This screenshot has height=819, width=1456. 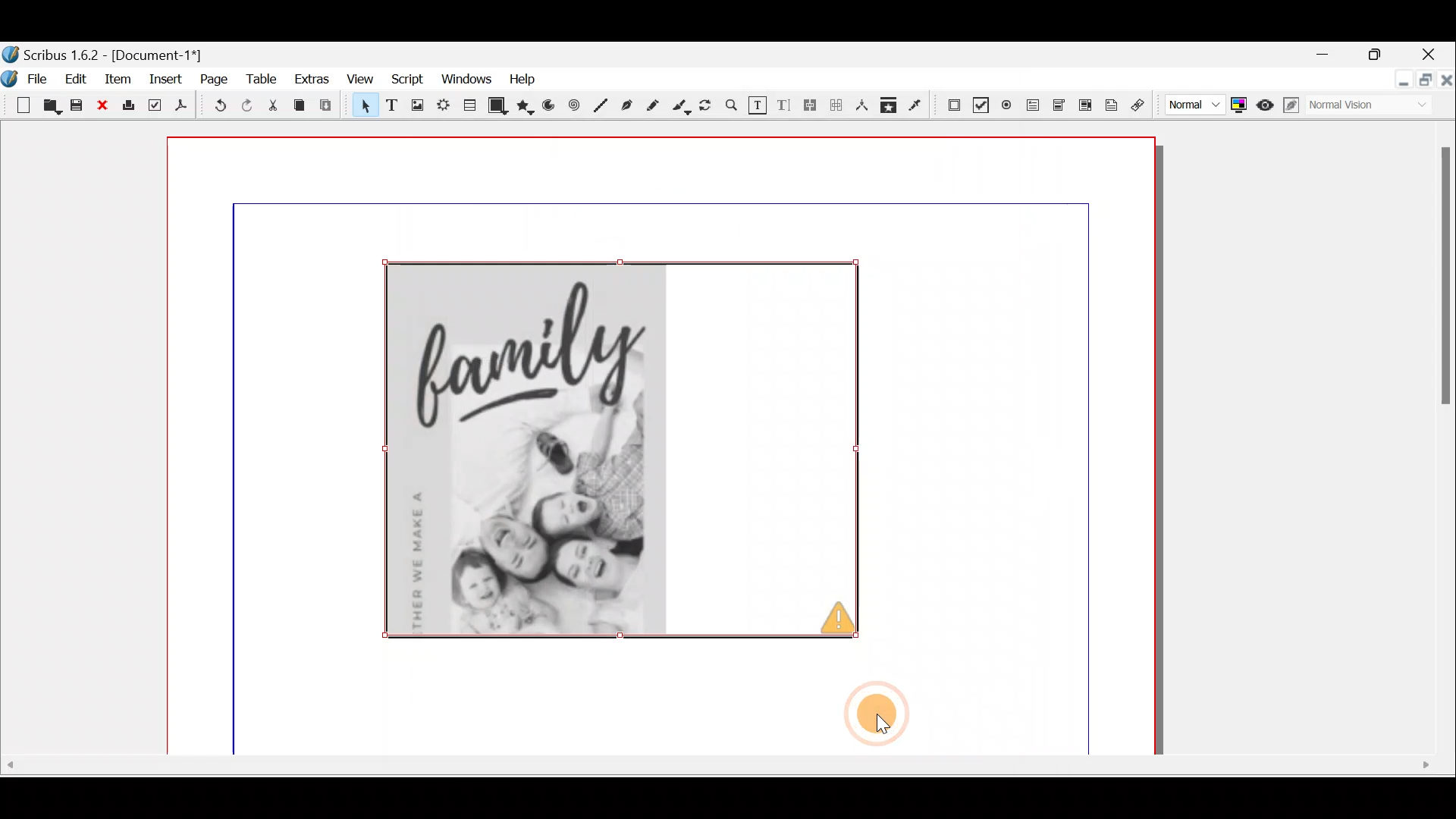 What do you see at coordinates (77, 78) in the screenshot?
I see `Edit` at bounding box center [77, 78].